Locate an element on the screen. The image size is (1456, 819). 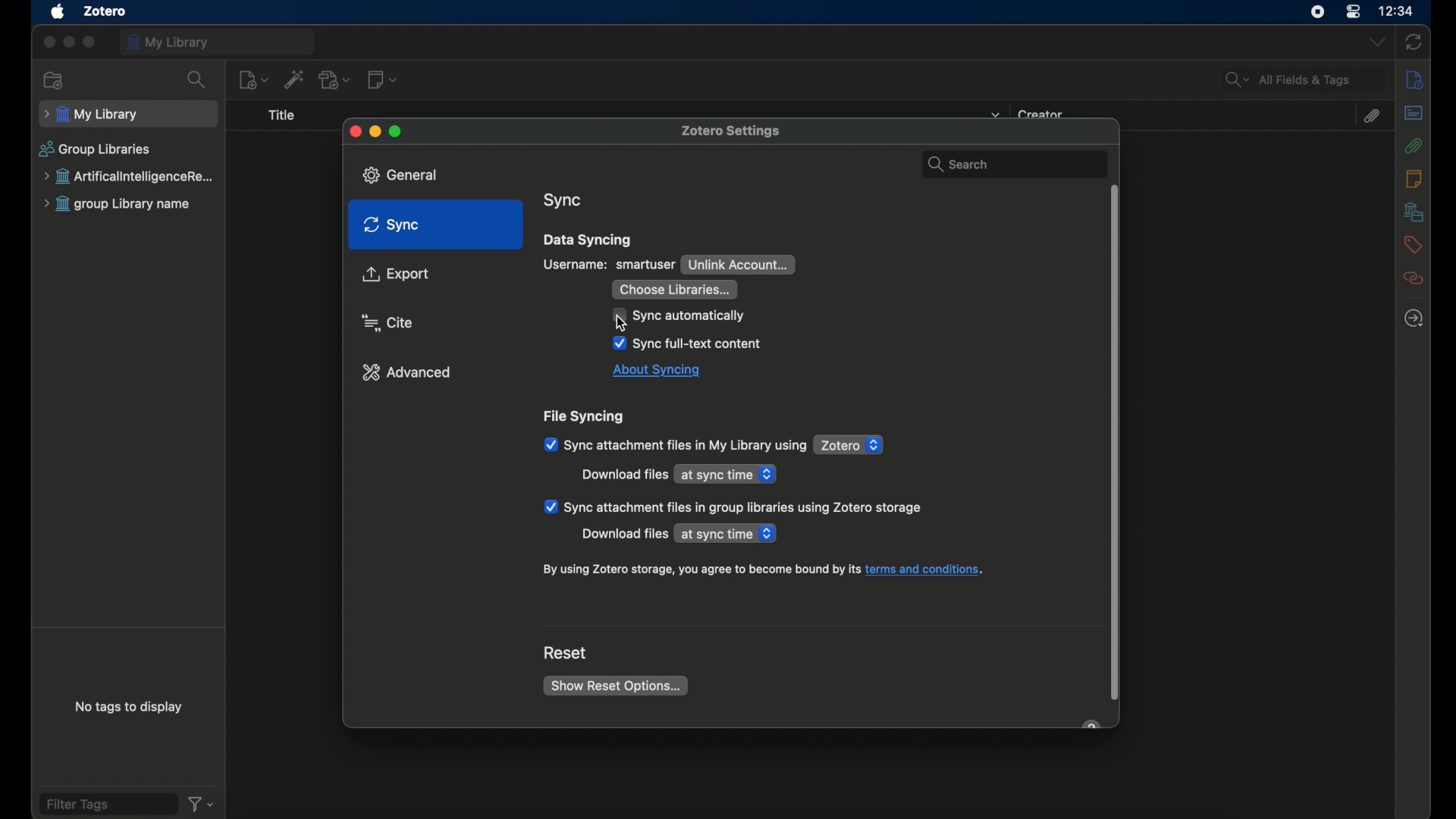
sync automatically is located at coordinates (680, 316).